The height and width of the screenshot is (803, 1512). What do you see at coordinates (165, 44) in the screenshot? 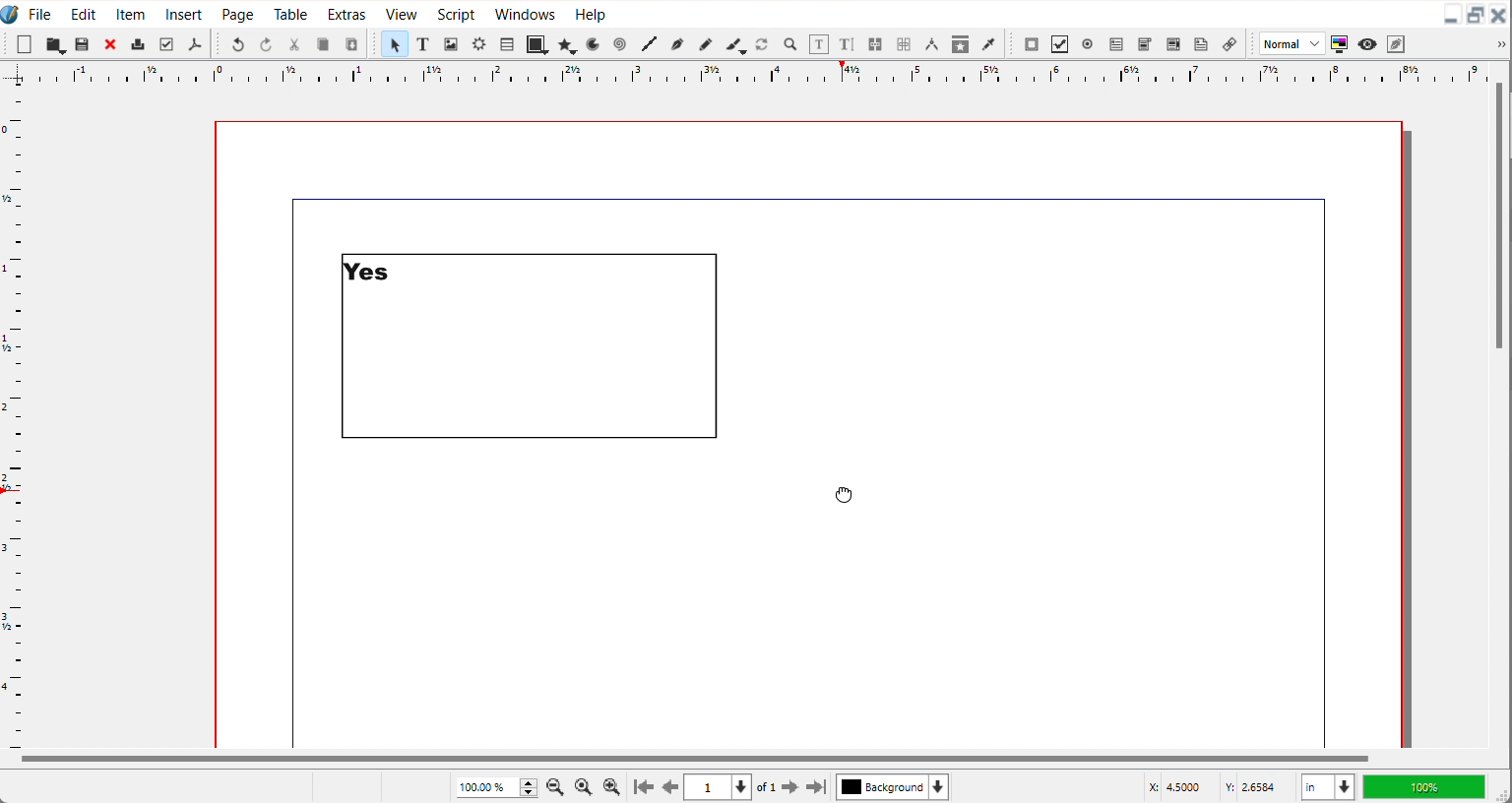
I see `Preflight verifier` at bounding box center [165, 44].